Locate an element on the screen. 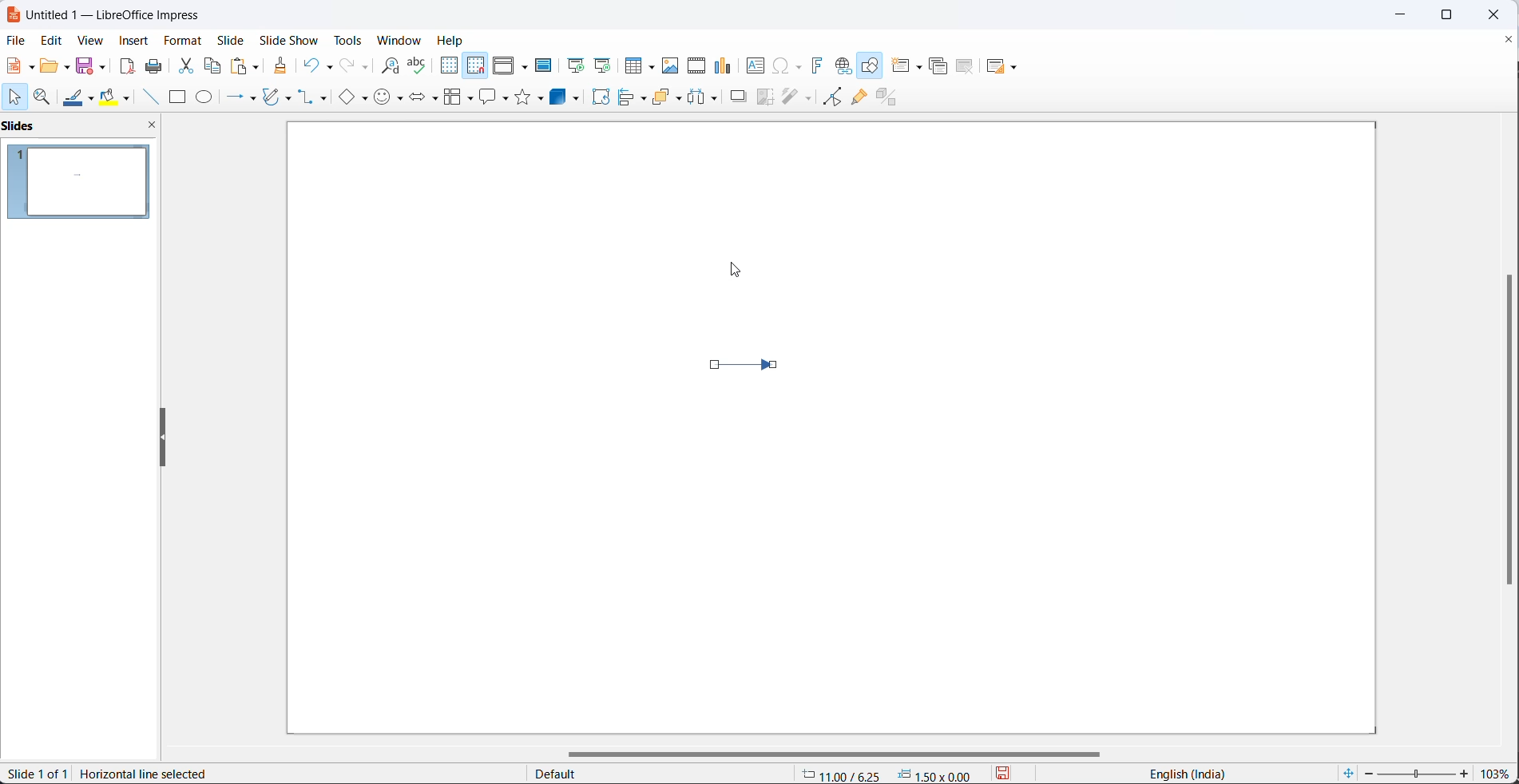 This screenshot has width=1519, height=784. zoom percentage is located at coordinates (1499, 771).